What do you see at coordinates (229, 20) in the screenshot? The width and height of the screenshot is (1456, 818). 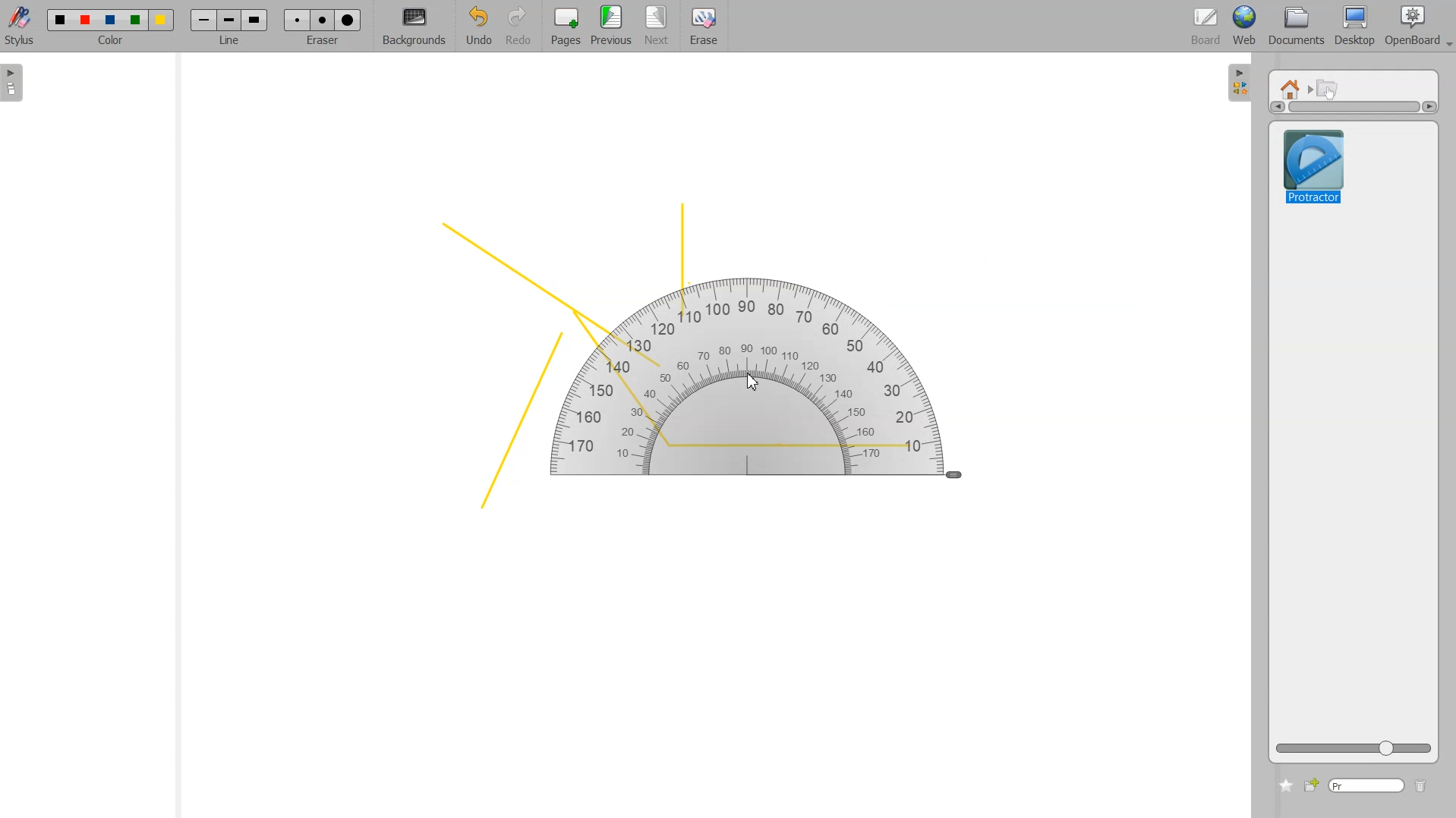 I see `Line` at bounding box center [229, 20].